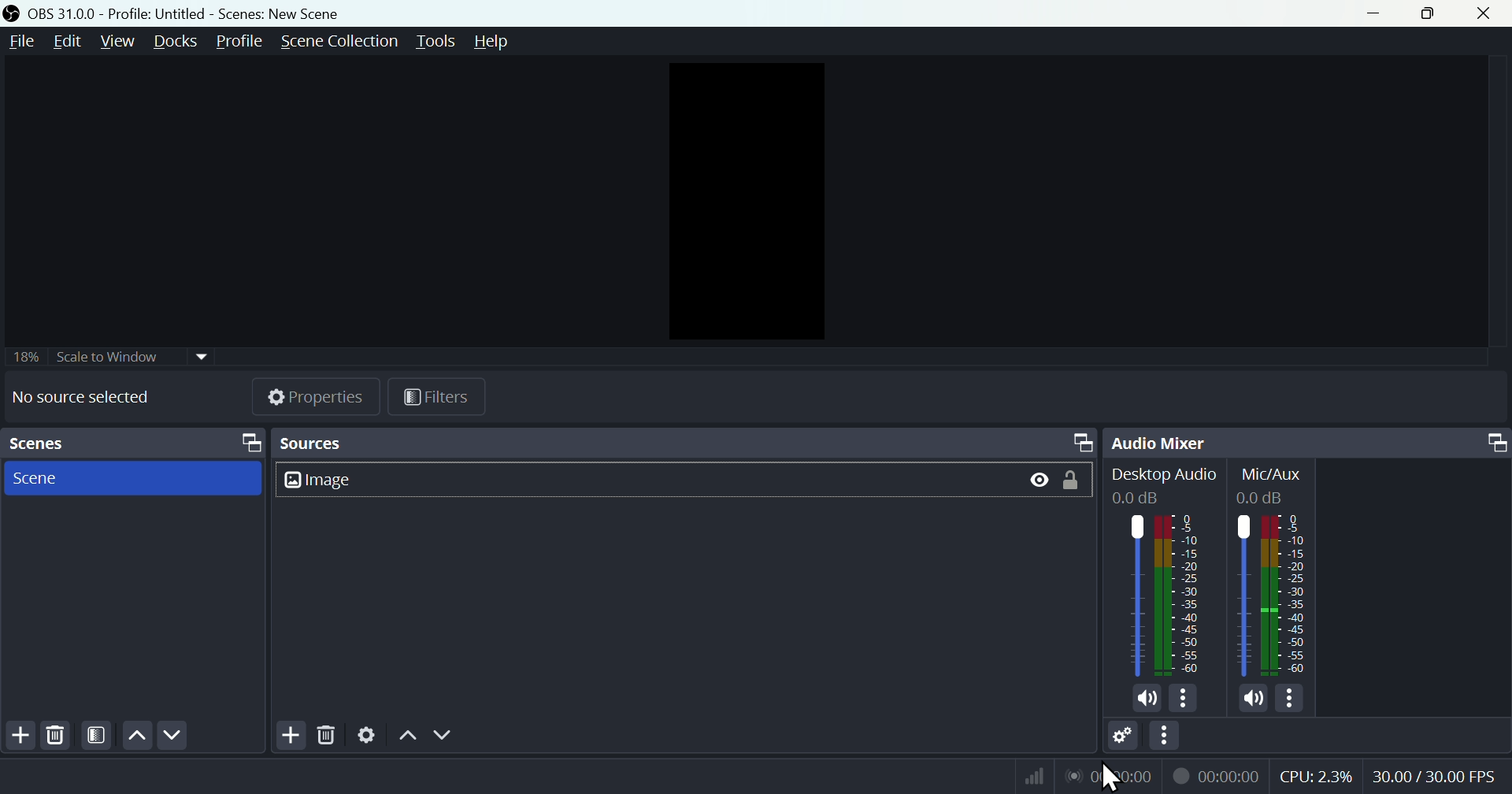 This screenshot has width=1512, height=794. Describe the element at coordinates (175, 738) in the screenshot. I see `Down` at that location.